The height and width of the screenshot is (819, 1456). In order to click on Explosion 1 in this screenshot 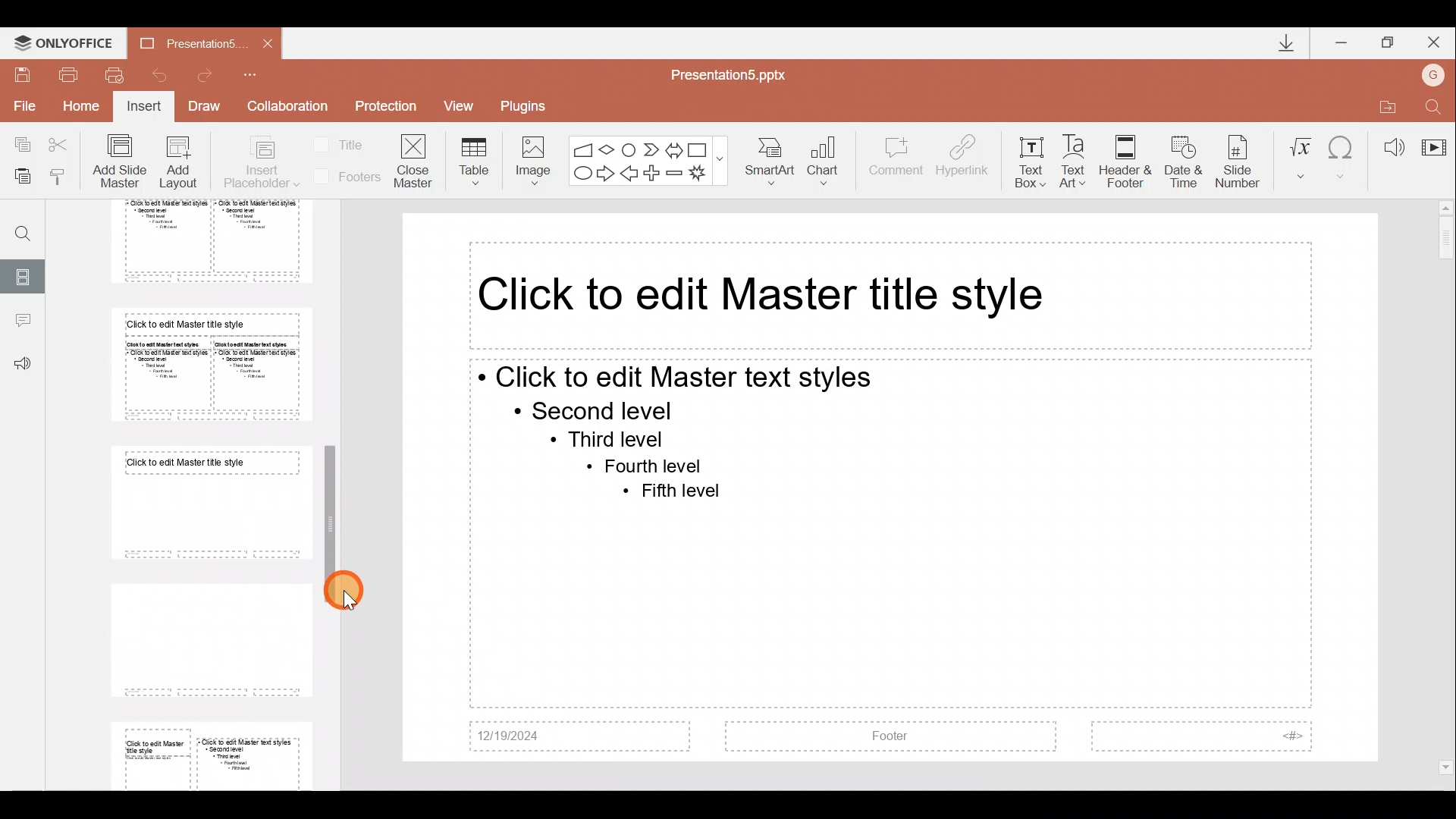, I will do `click(704, 174)`.